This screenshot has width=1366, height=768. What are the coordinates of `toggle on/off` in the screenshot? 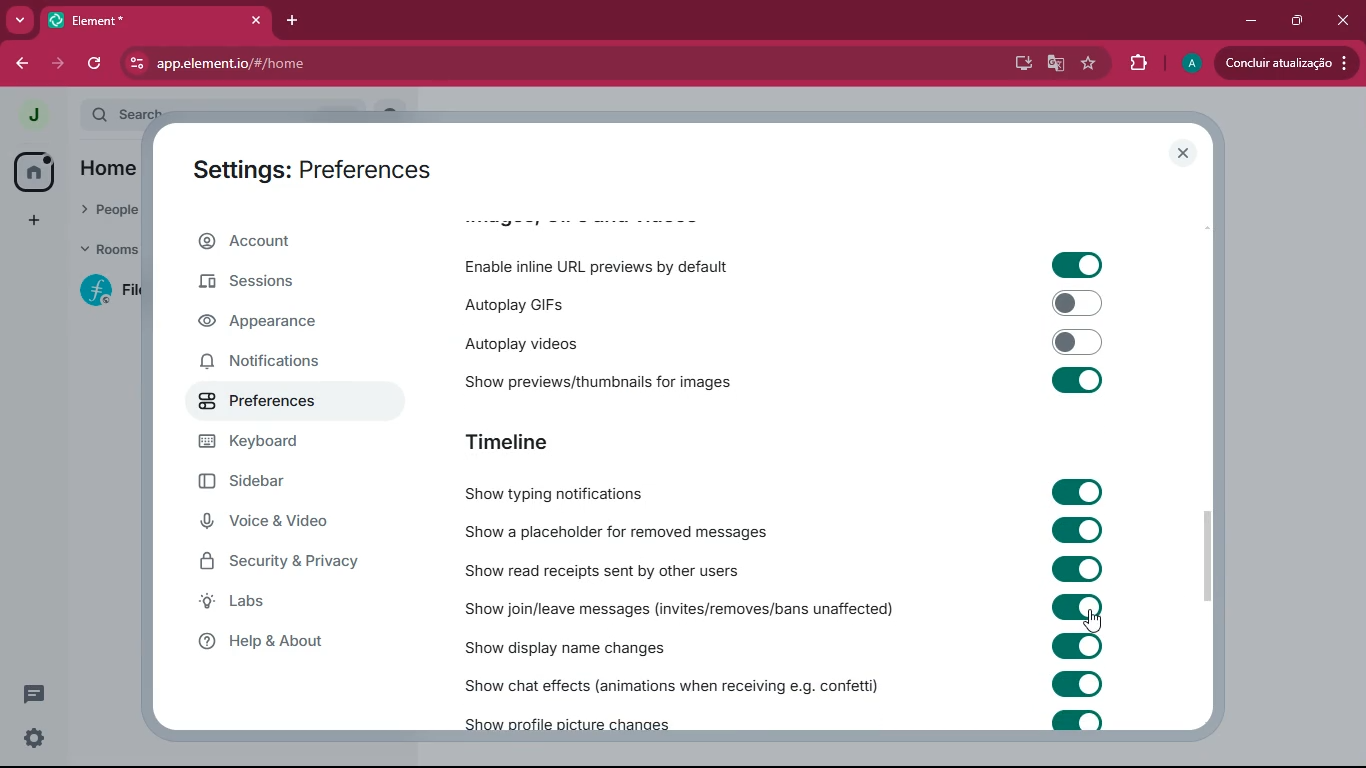 It's located at (1078, 492).